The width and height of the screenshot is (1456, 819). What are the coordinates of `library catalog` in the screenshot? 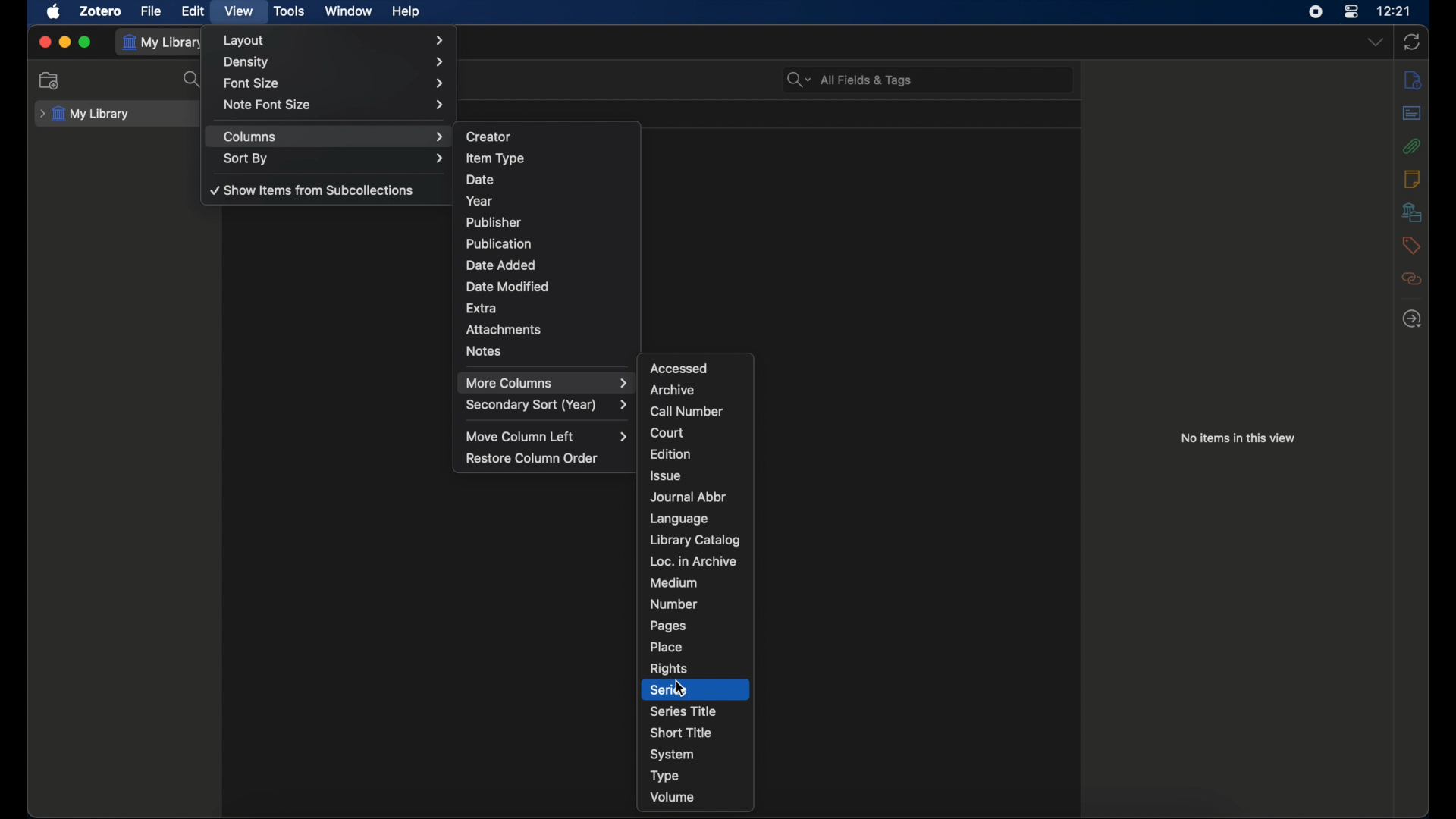 It's located at (696, 540).